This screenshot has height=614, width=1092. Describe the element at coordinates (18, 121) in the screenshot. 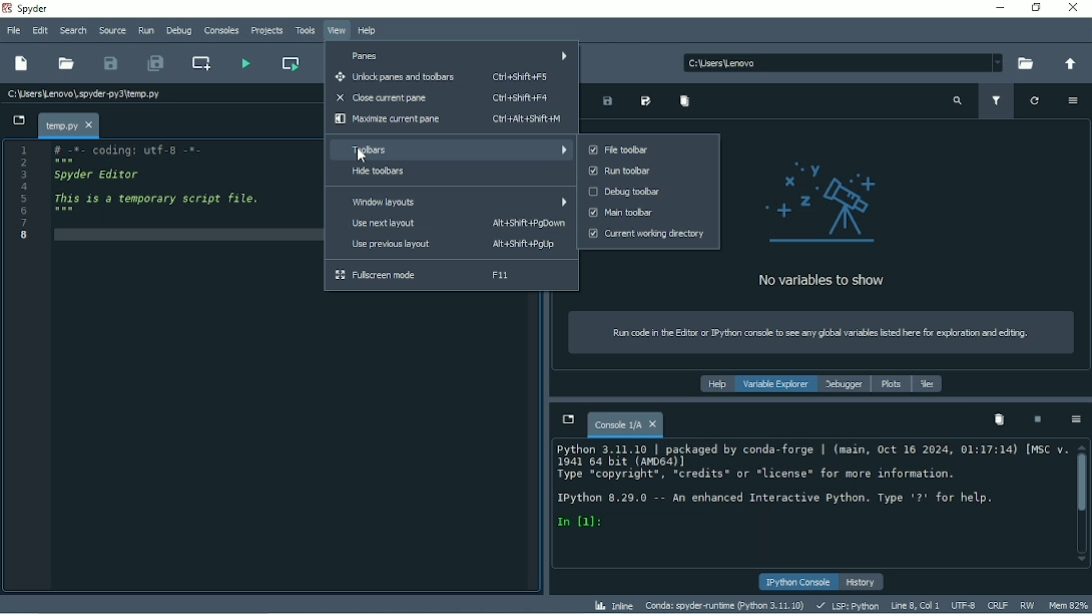

I see `Browse tabs` at that location.